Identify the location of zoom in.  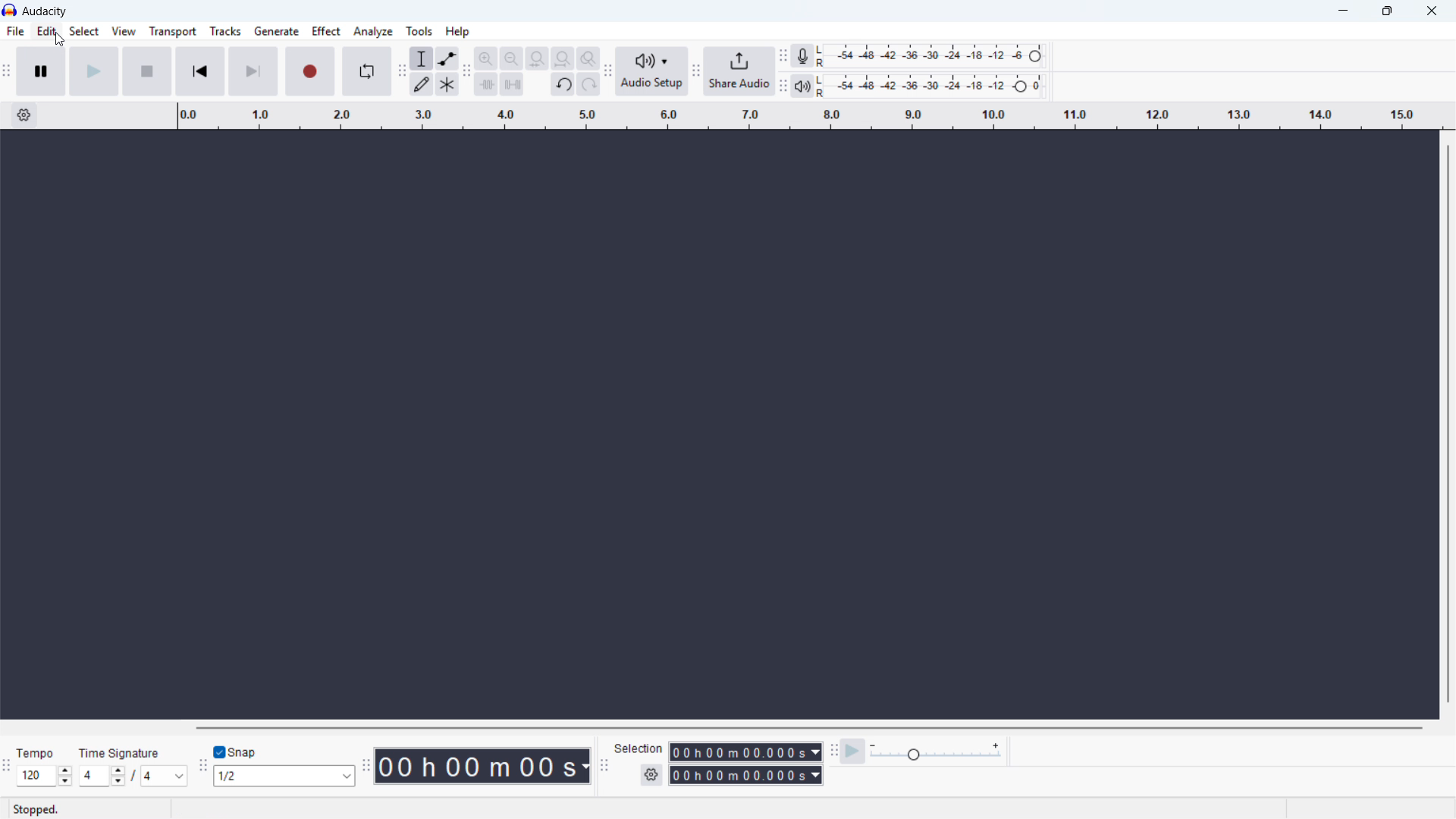
(486, 58).